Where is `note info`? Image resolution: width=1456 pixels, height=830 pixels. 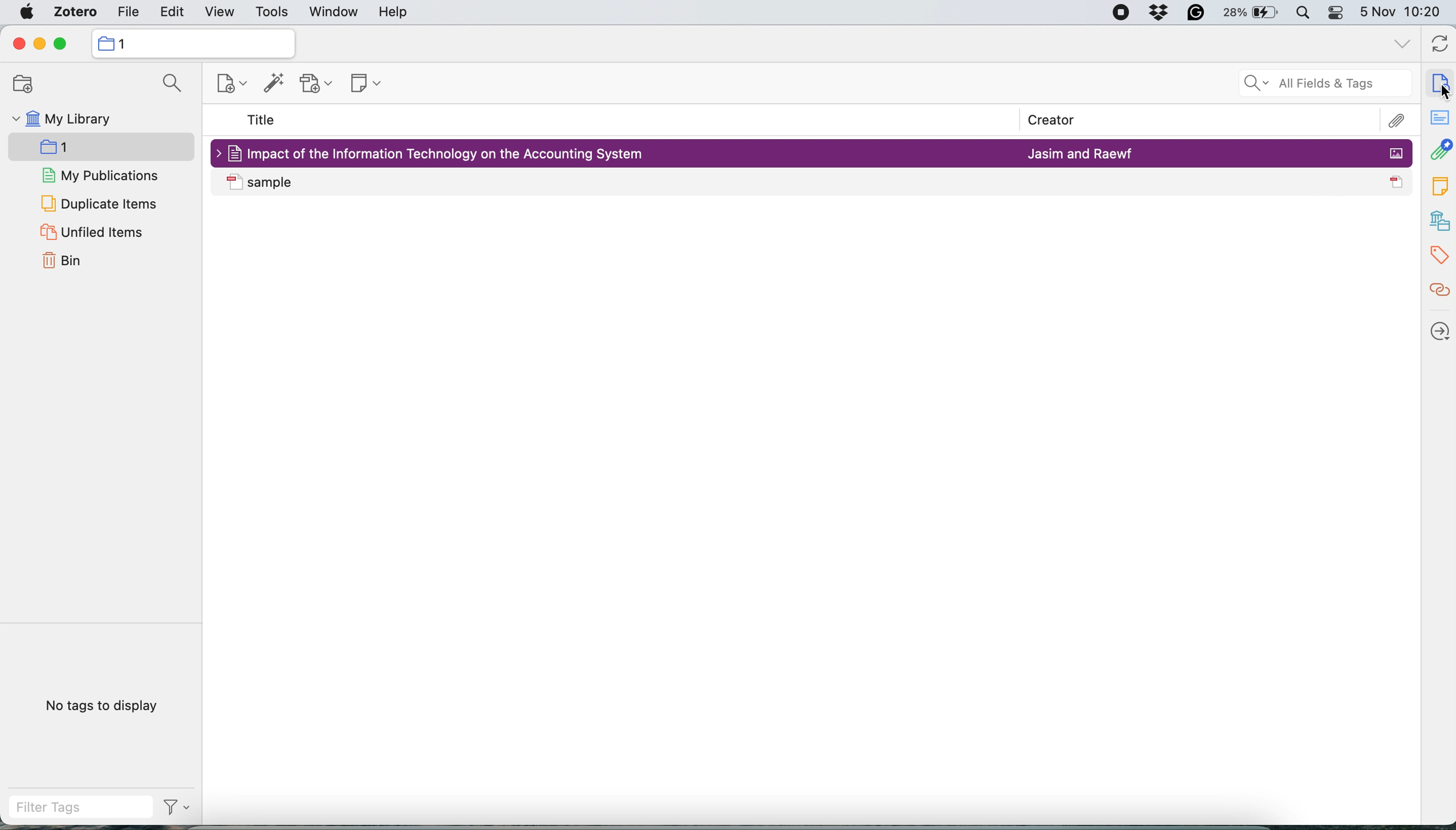
note info is located at coordinates (1439, 83).